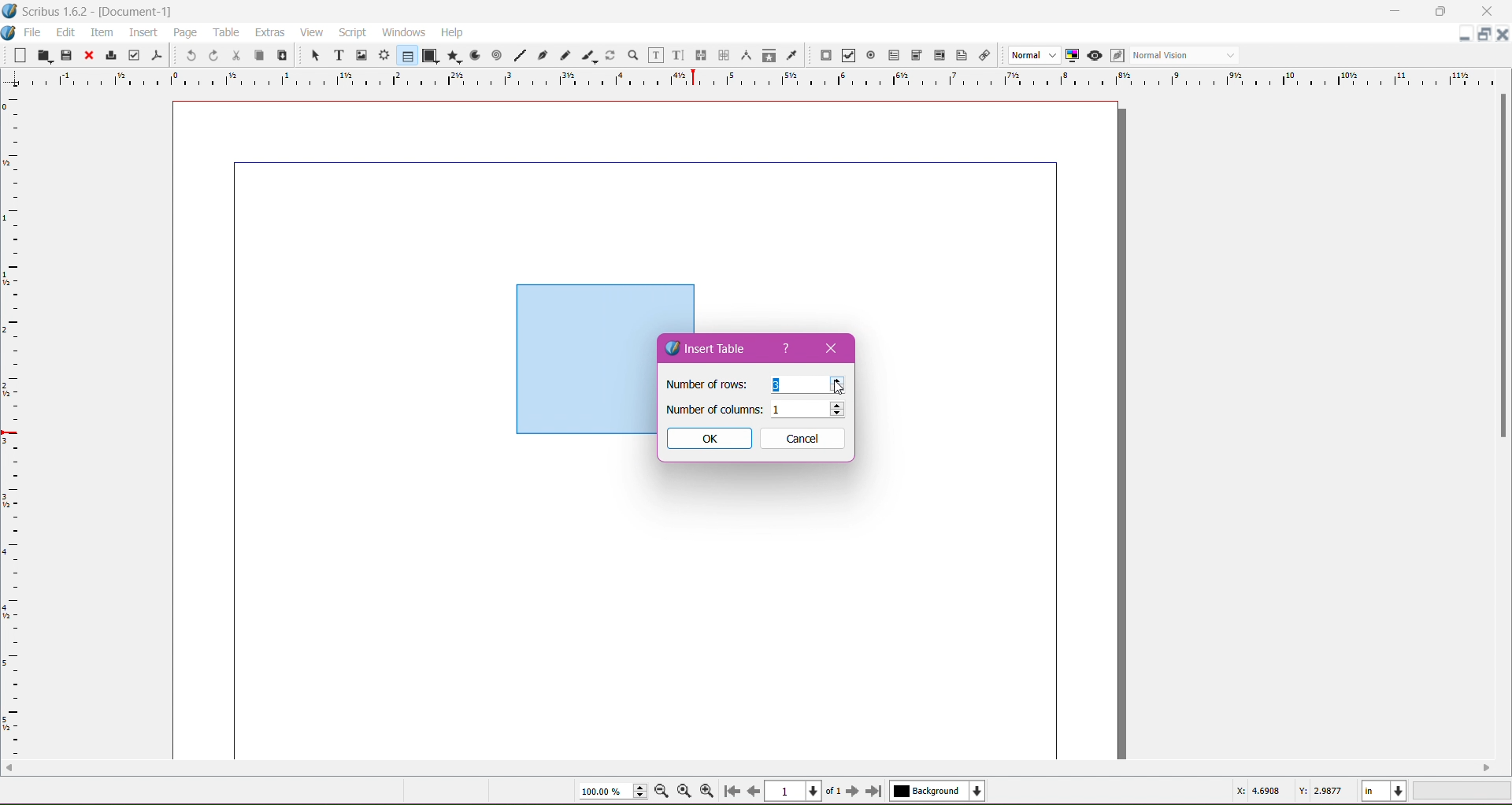  What do you see at coordinates (143, 30) in the screenshot?
I see `Insert` at bounding box center [143, 30].